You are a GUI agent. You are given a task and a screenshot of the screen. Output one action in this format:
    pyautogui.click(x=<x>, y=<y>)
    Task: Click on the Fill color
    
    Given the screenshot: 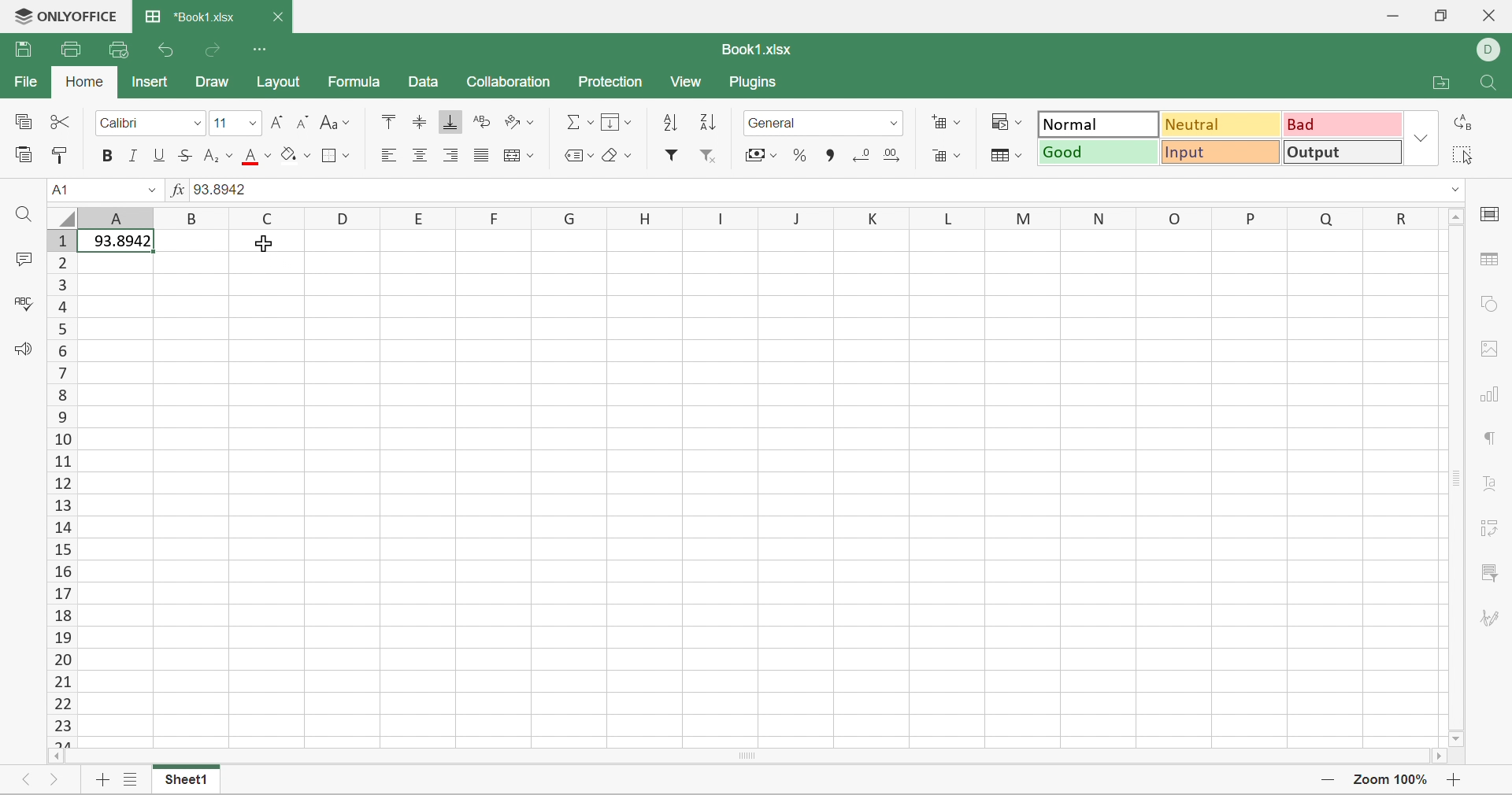 What is the action you would take?
    pyautogui.click(x=295, y=153)
    